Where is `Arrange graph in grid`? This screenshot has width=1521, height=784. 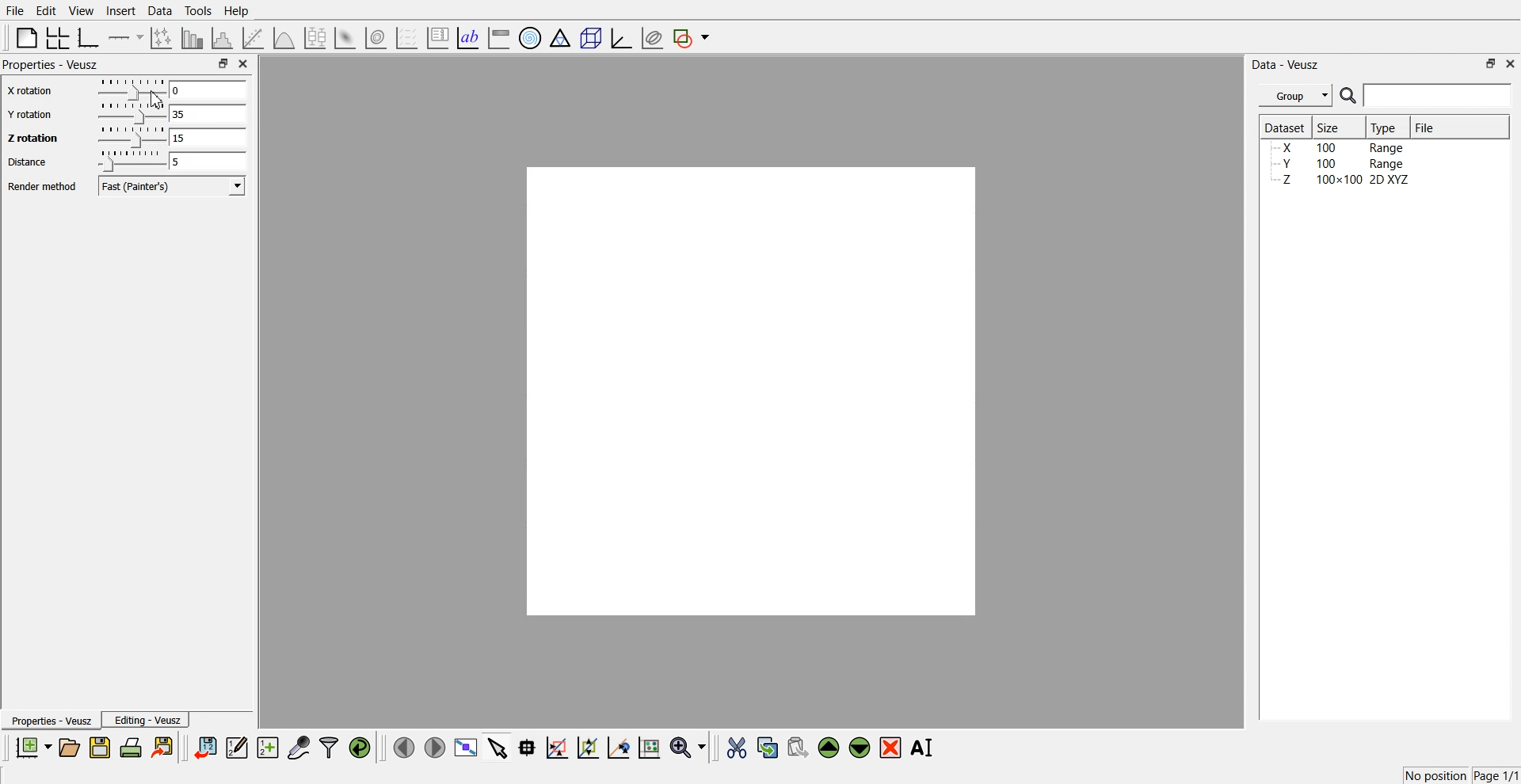 Arrange graph in grid is located at coordinates (58, 39).